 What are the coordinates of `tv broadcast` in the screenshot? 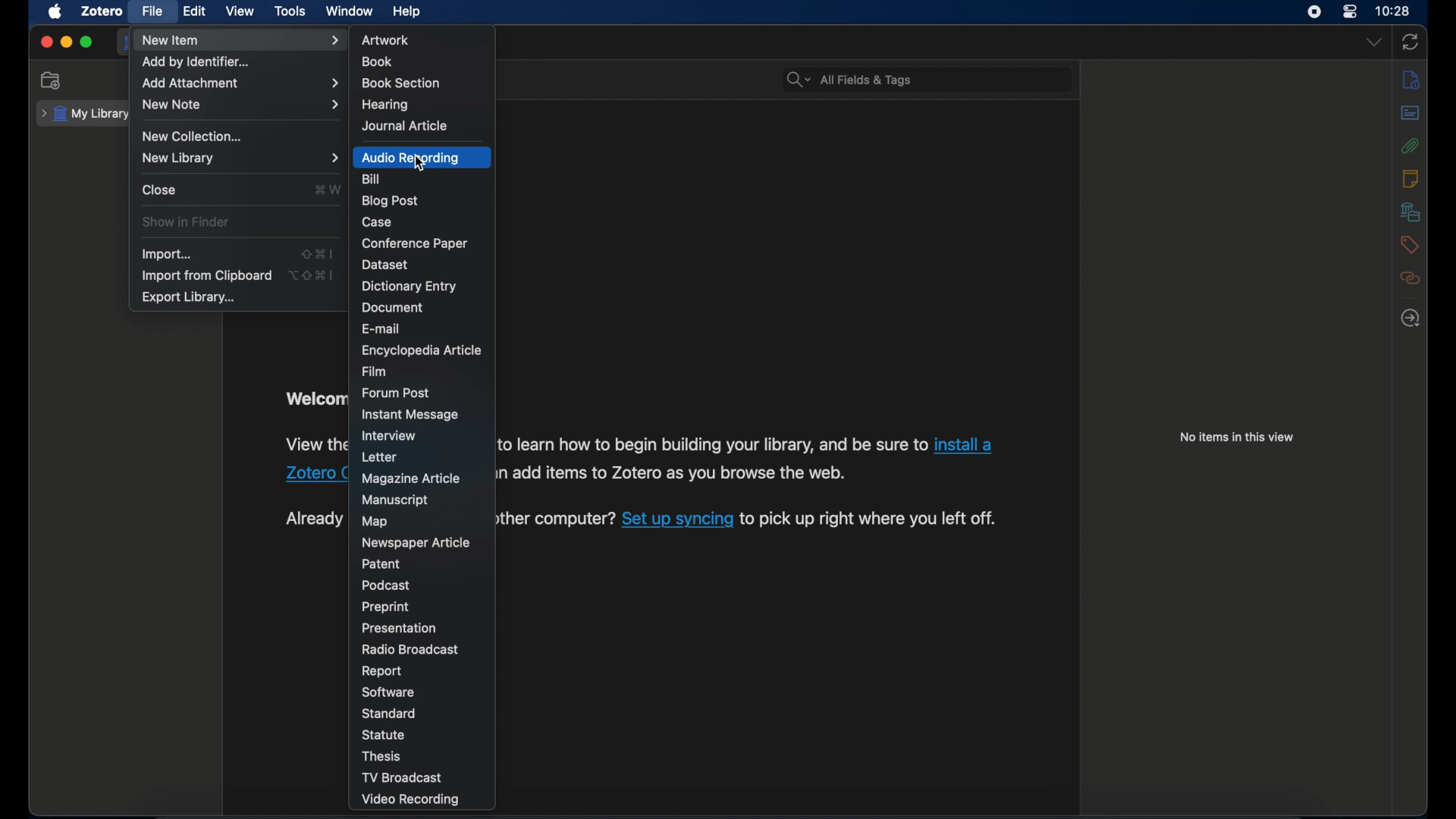 It's located at (405, 777).